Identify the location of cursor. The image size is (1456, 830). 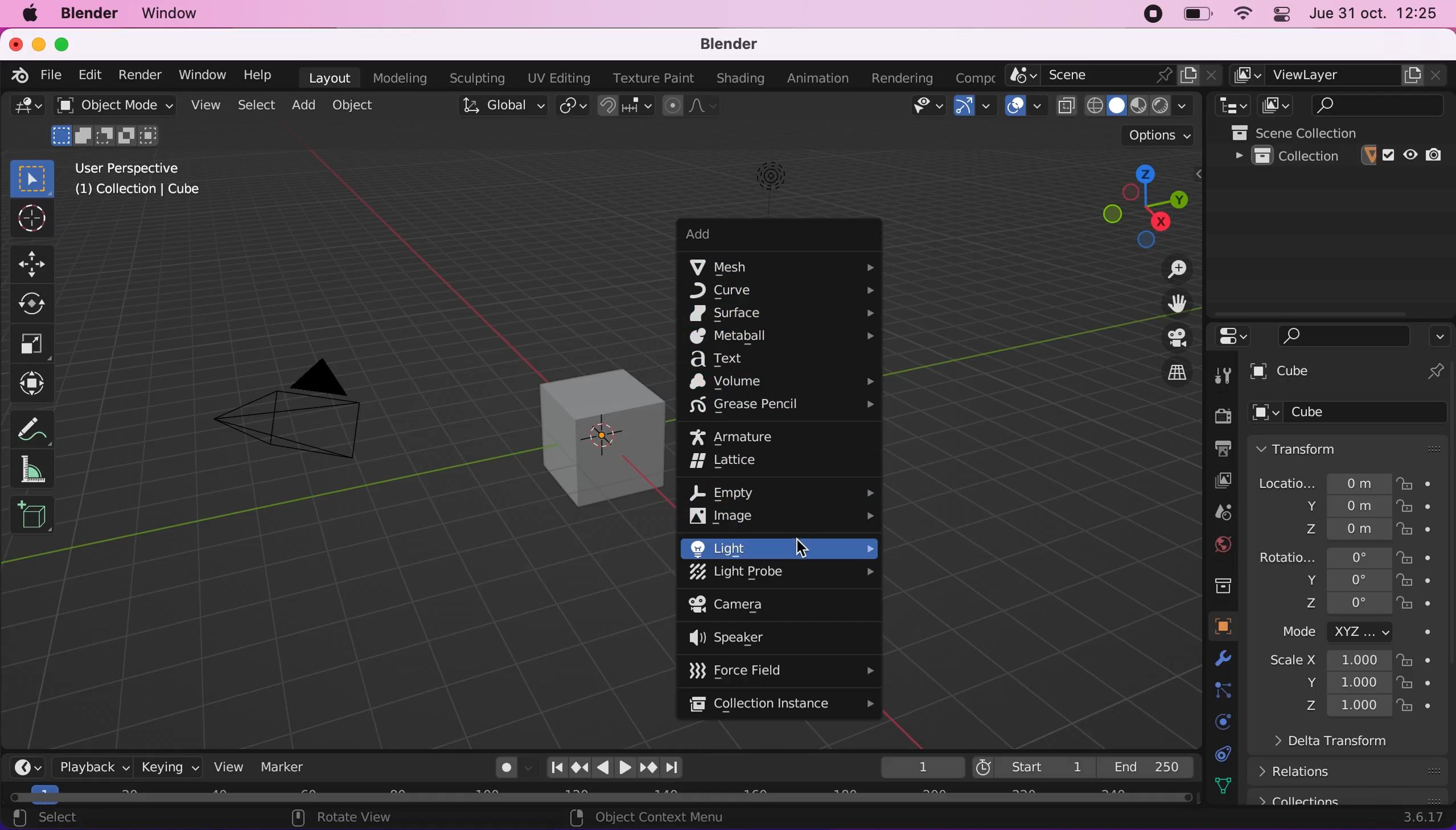
(31, 220).